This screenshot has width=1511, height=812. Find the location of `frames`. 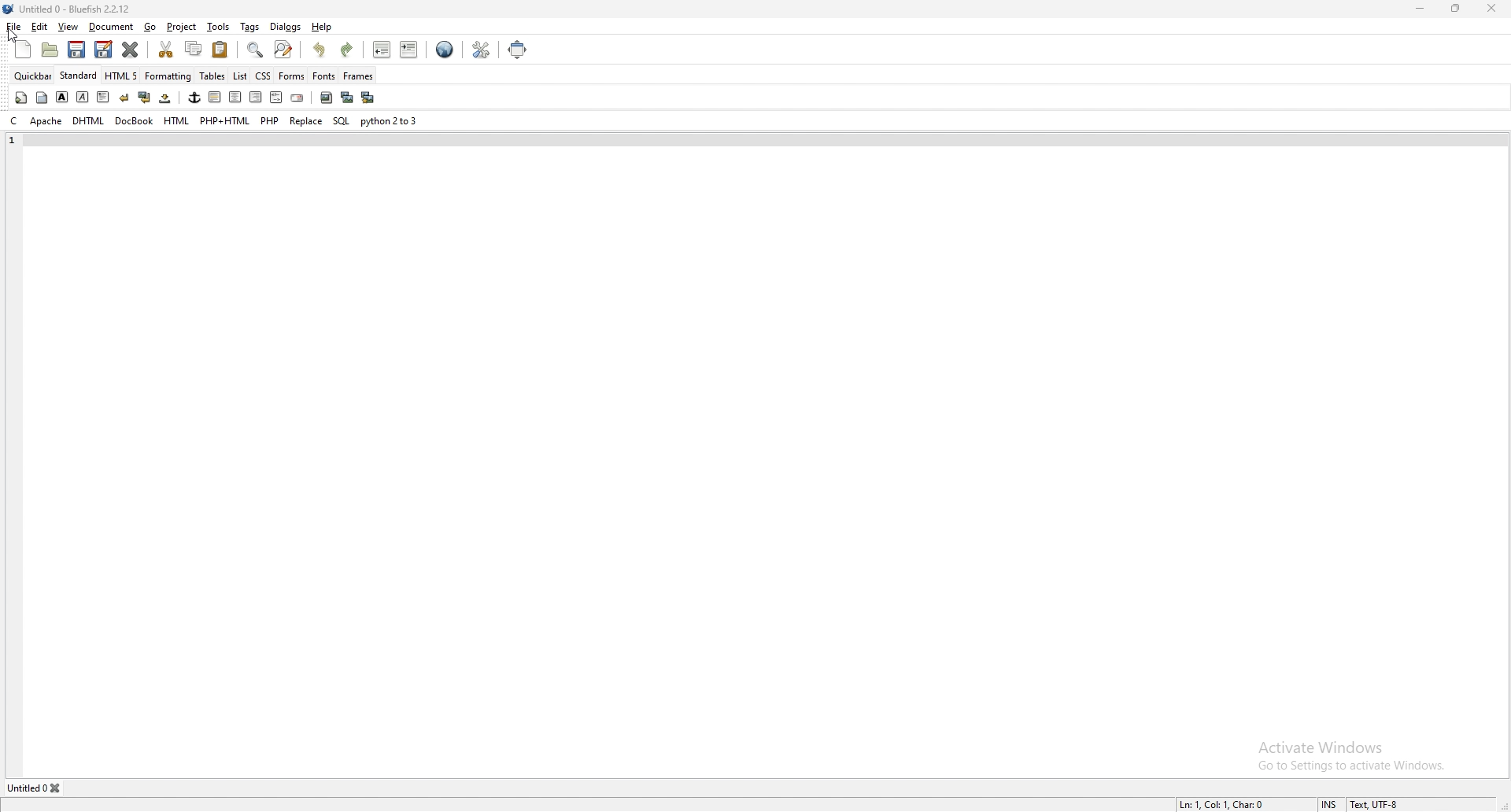

frames is located at coordinates (359, 76).